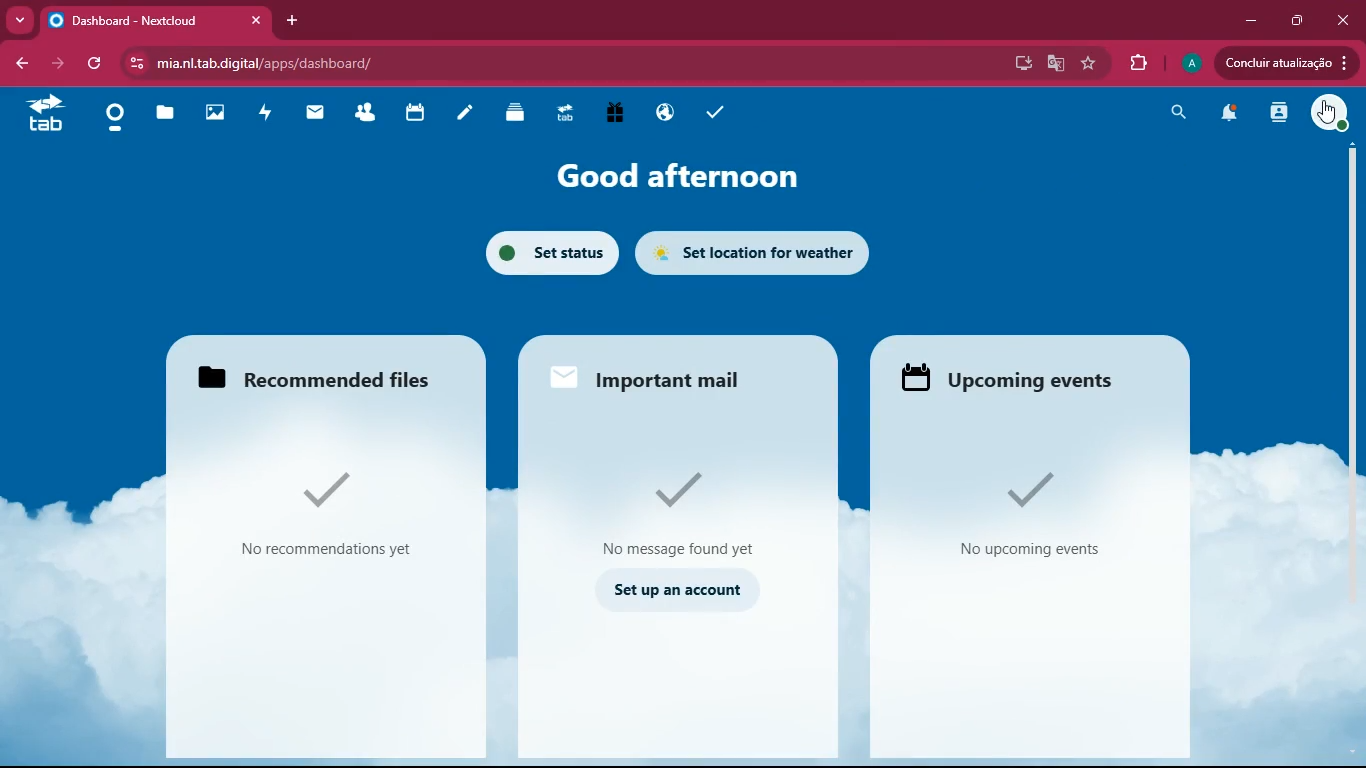 The image size is (1366, 768). Describe the element at coordinates (1252, 20) in the screenshot. I see `minimize` at that location.